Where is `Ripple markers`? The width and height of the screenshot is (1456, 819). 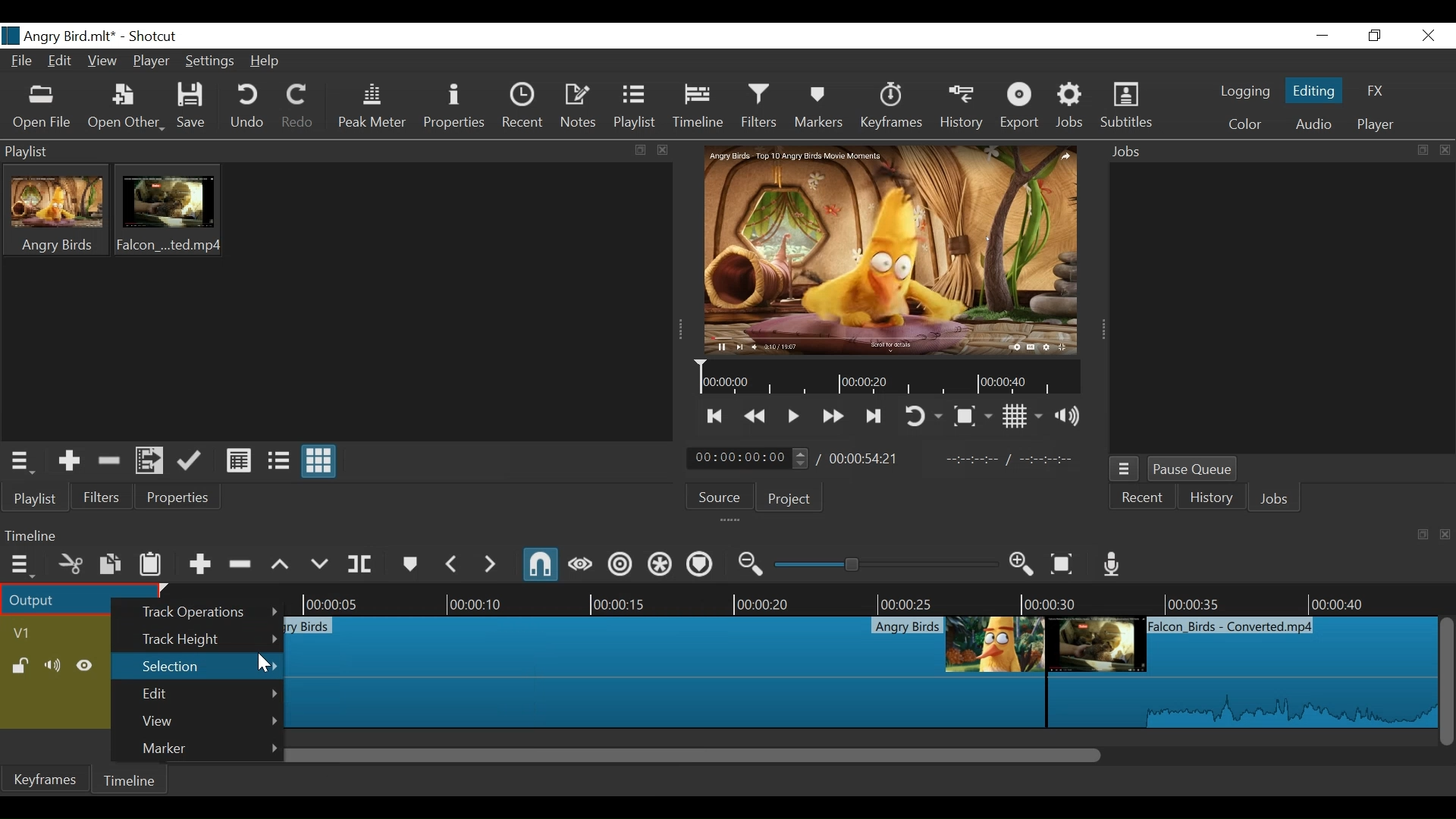 Ripple markers is located at coordinates (698, 564).